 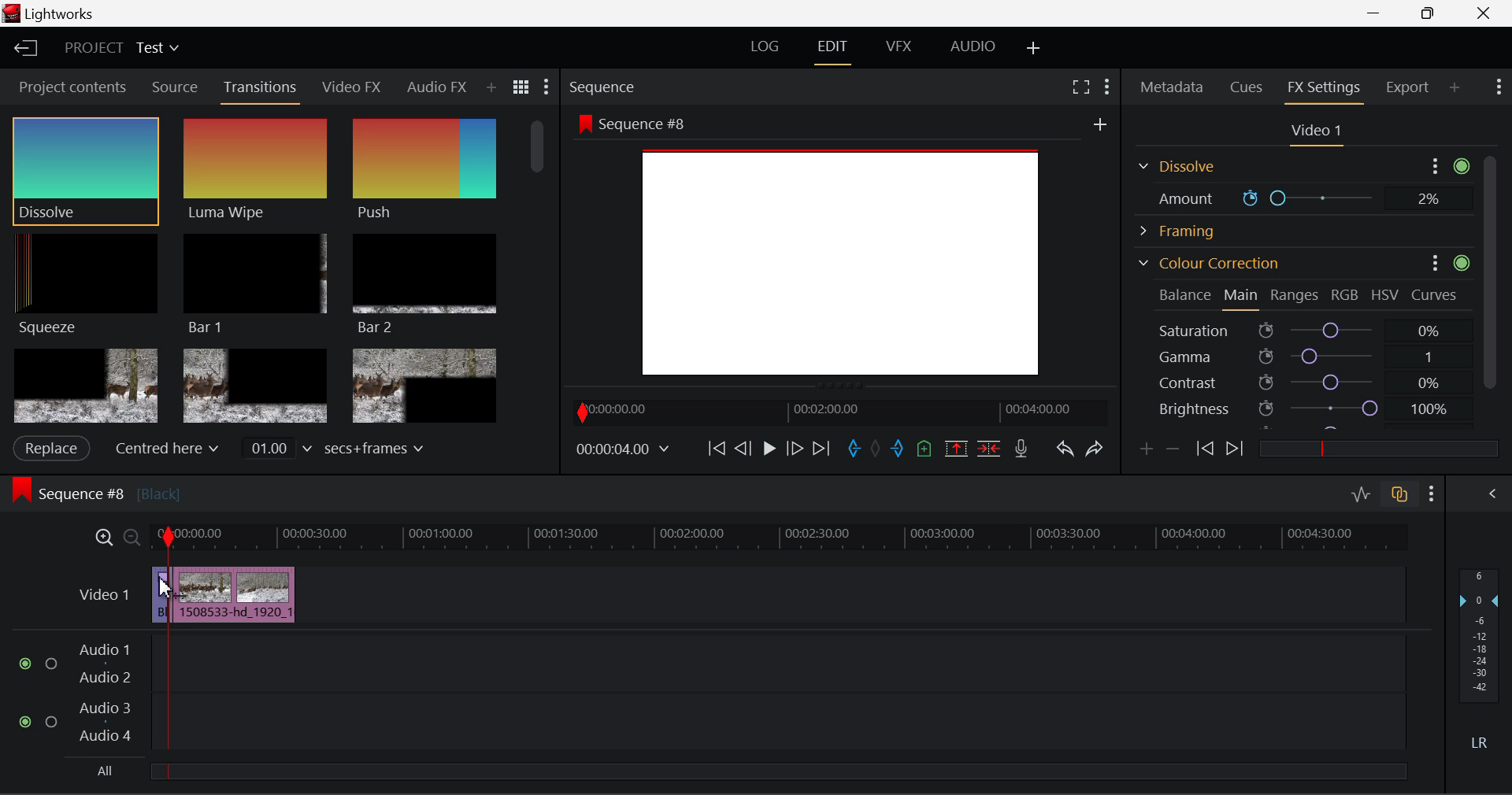 What do you see at coordinates (173, 490) in the screenshot?
I see `Sequence #8` at bounding box center [173, 490].